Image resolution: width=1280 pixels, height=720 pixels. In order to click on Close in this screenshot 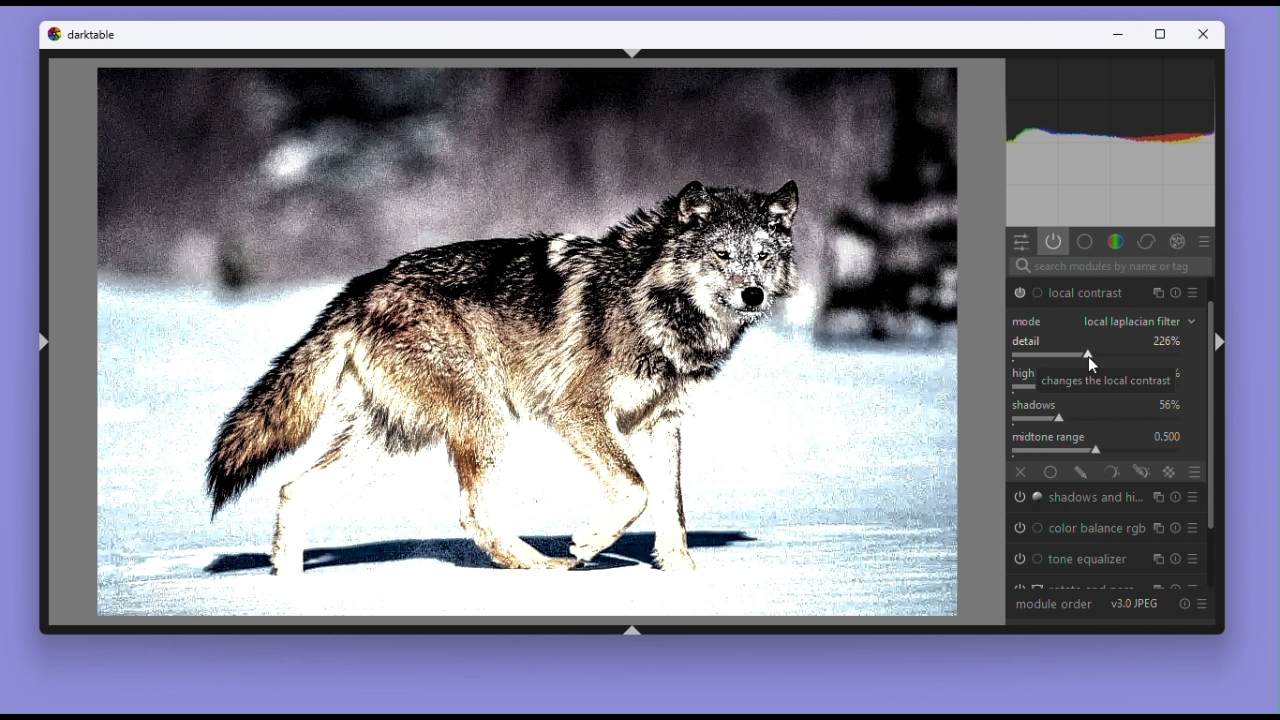, I will do `click(1205, 34)`.